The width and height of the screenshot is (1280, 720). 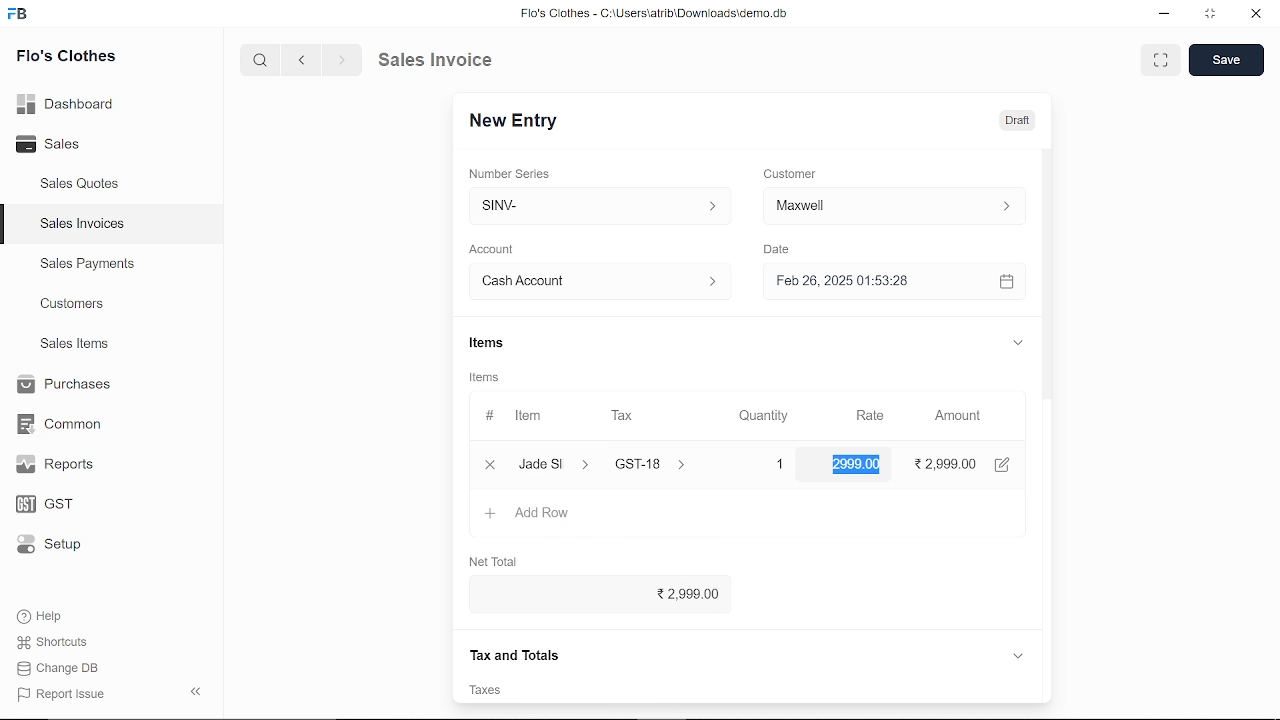 What do you see at coordinates (894, 205) in the screenshot?
I see `Customer` at bounding box center [894, 205].